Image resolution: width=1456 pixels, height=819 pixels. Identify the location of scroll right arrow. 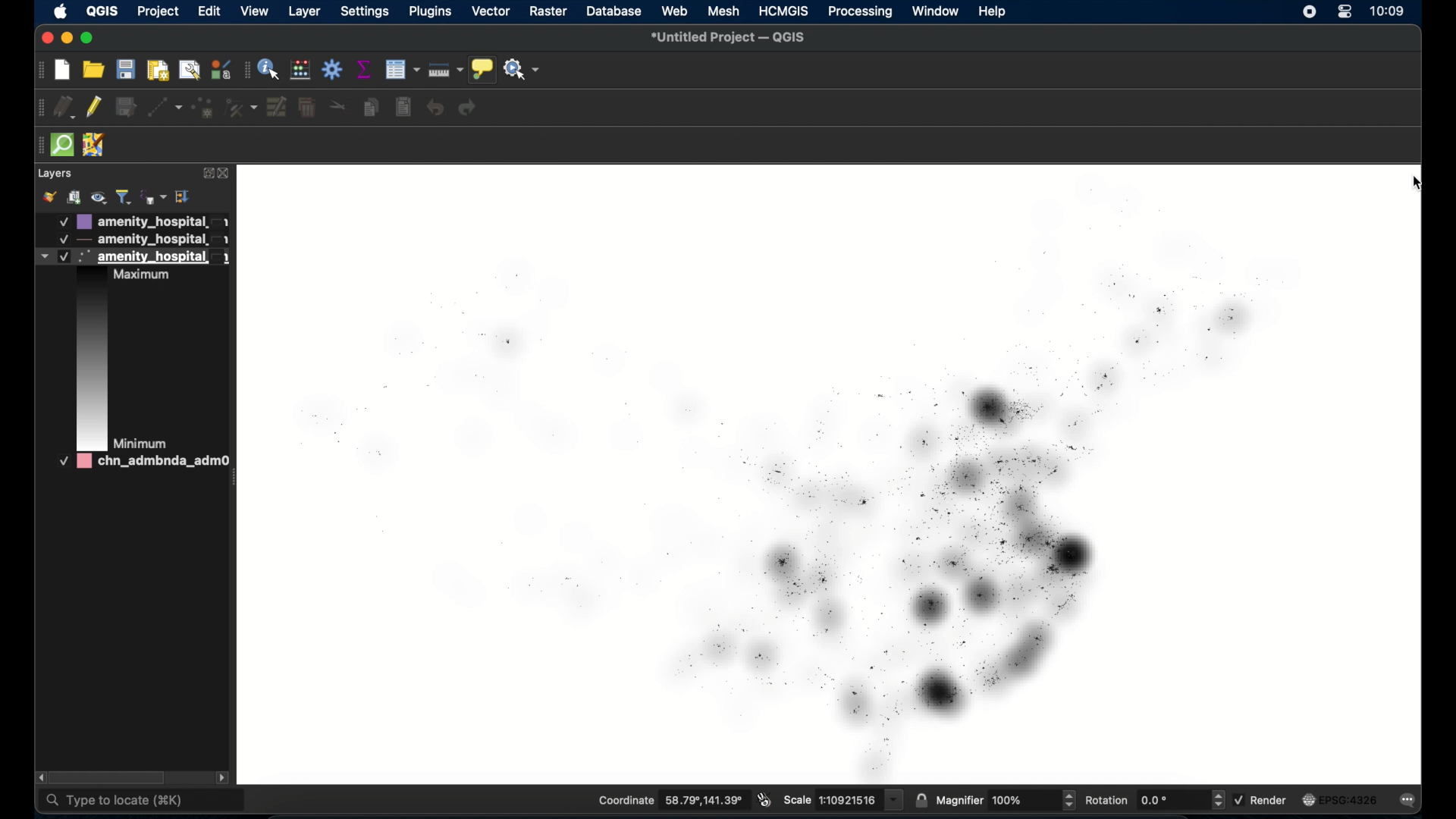
(224, 778).